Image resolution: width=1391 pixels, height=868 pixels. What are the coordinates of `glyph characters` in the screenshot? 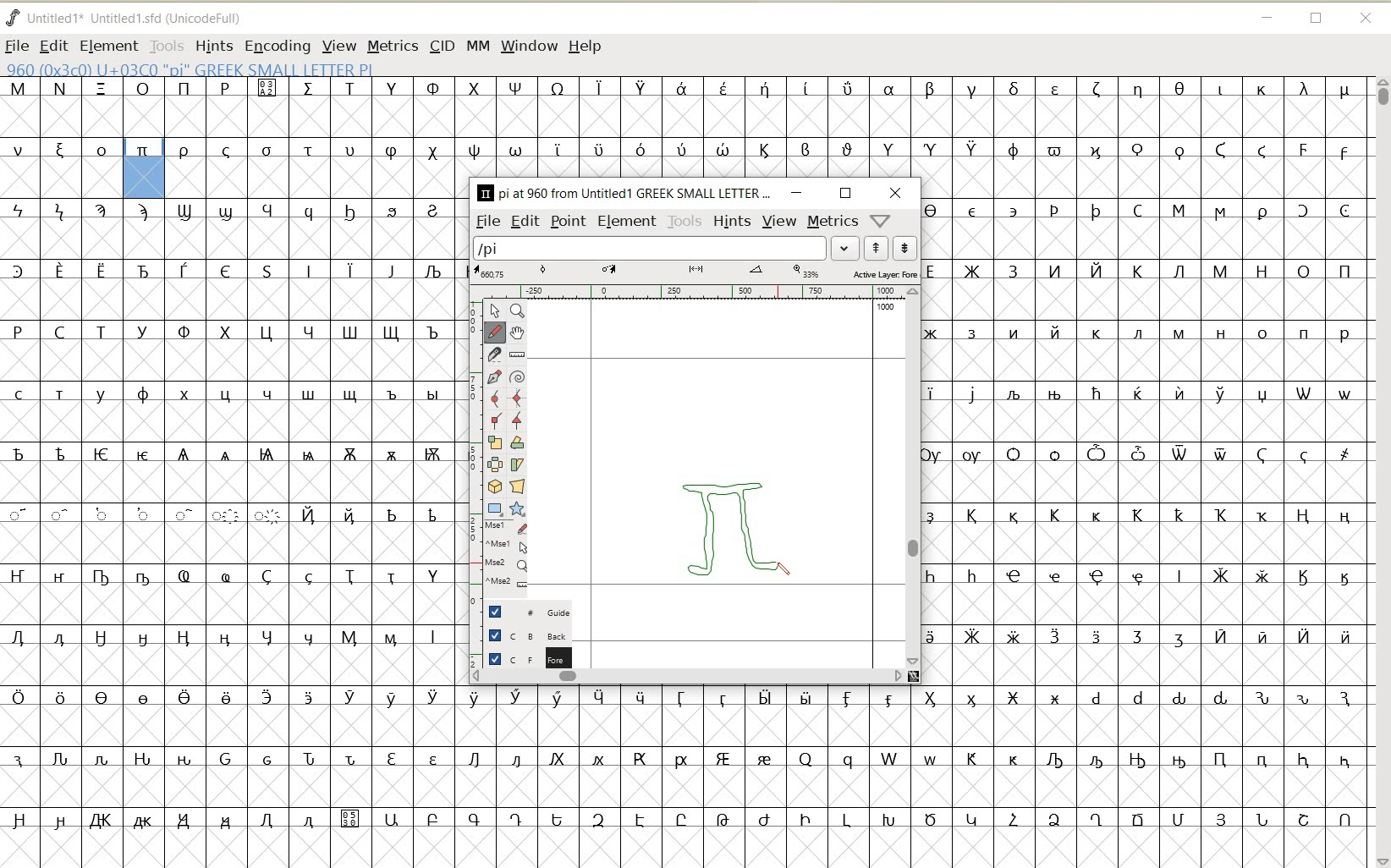 It's located at (914, 778).